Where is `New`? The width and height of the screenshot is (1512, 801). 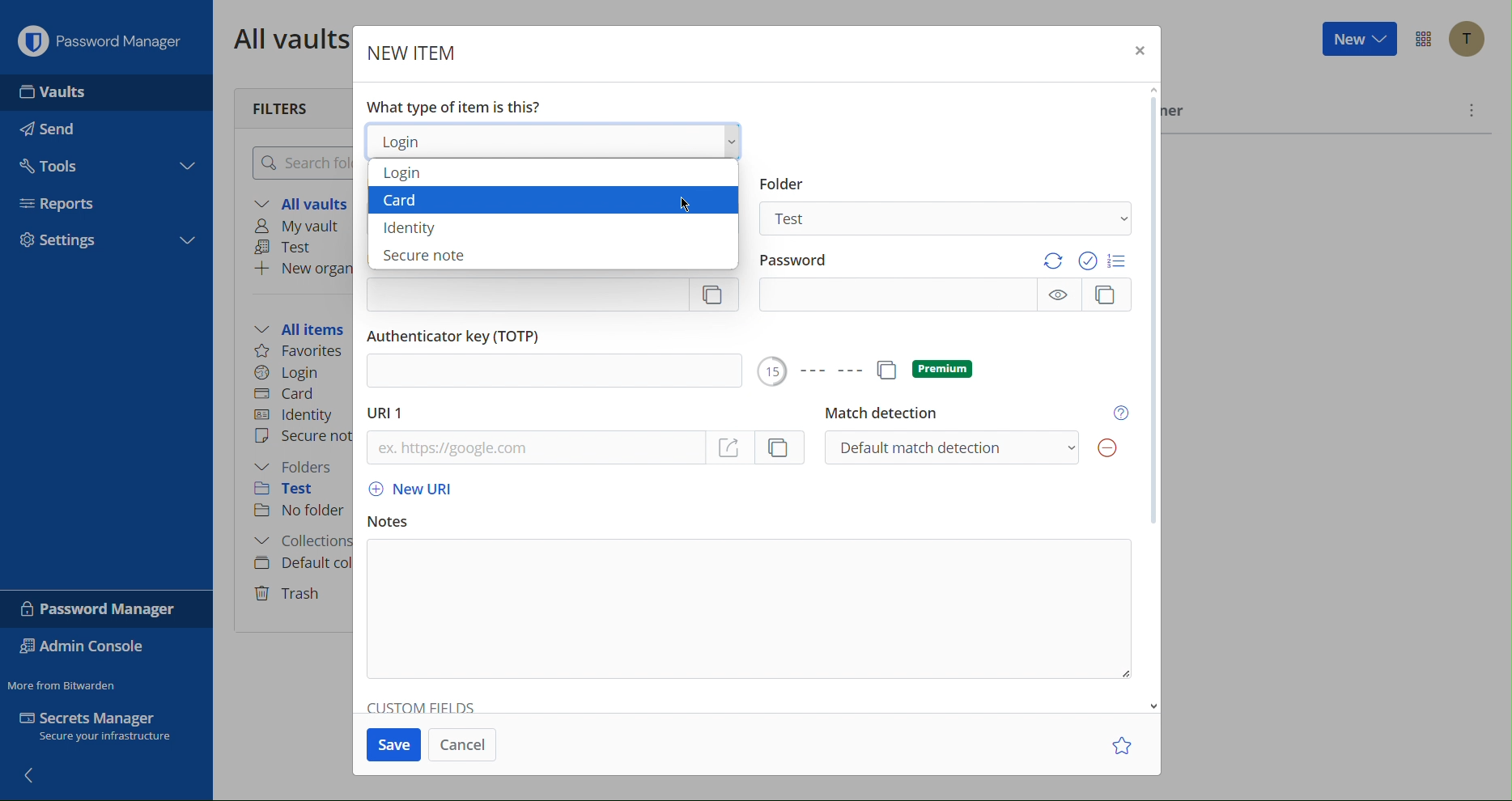 New is located at coordinates (1358, 38).